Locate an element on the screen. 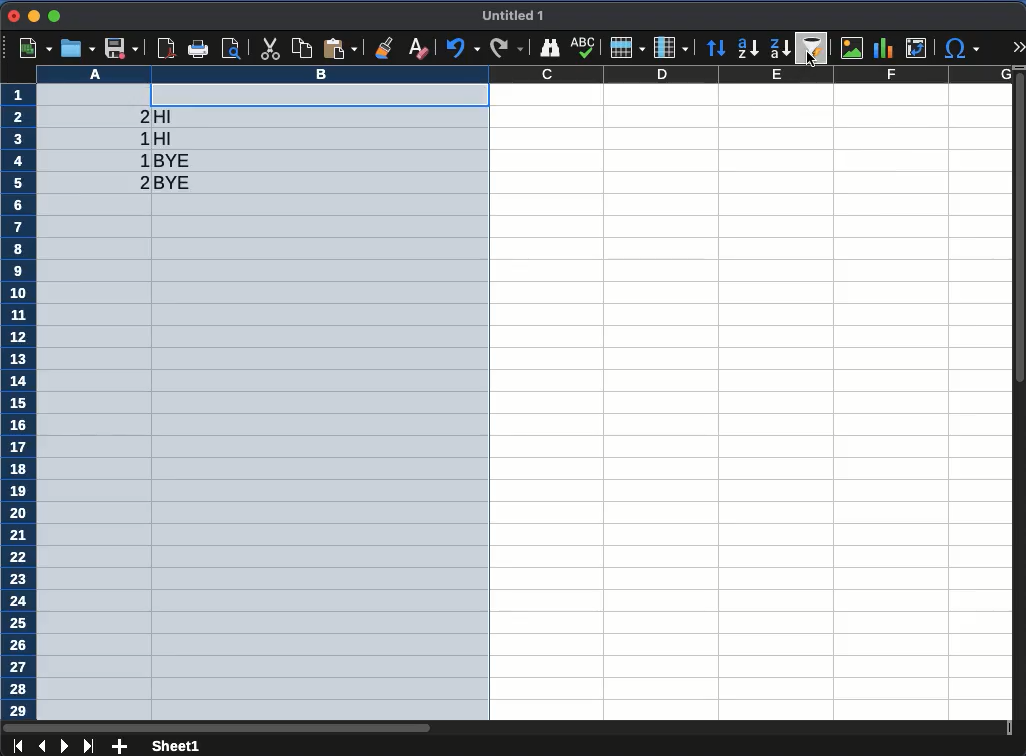  1 is located at coordinates (139, 138).